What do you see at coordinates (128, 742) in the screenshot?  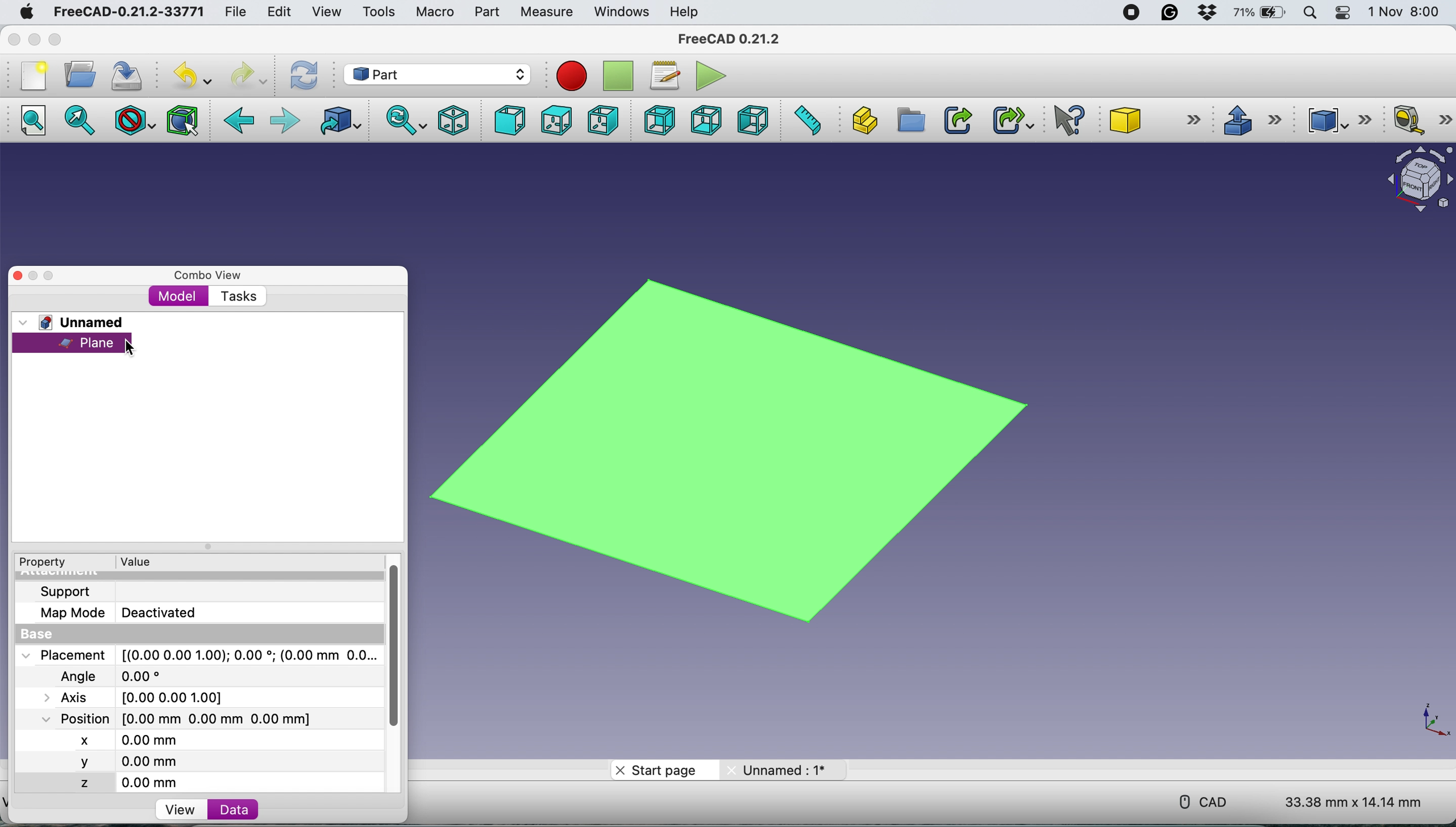 I see `x 0.00 mm` at bounding box center [128, 742].